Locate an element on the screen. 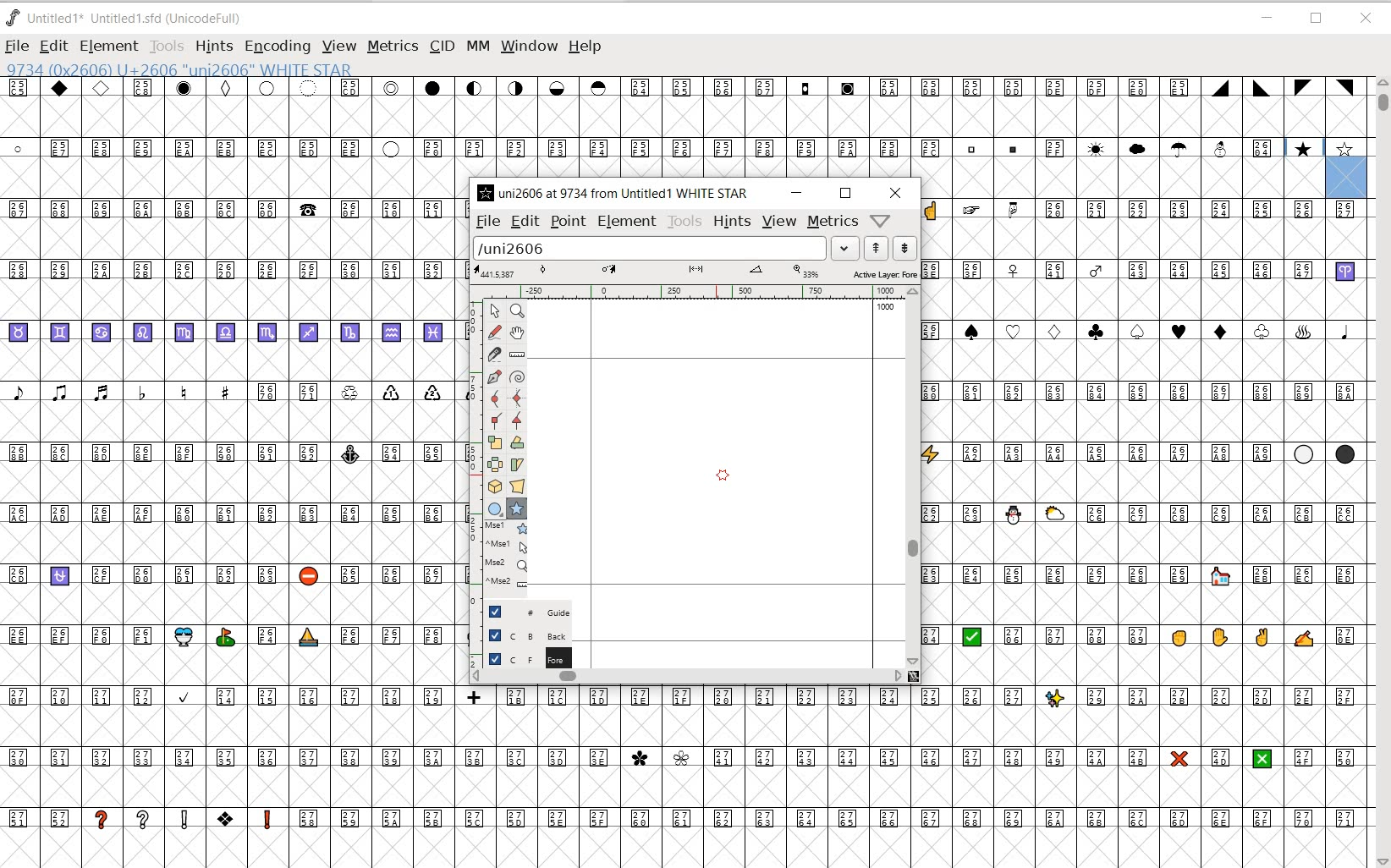 This screenshot has height=868, width=1391. CLOSE is located at coordinates (895, 193).